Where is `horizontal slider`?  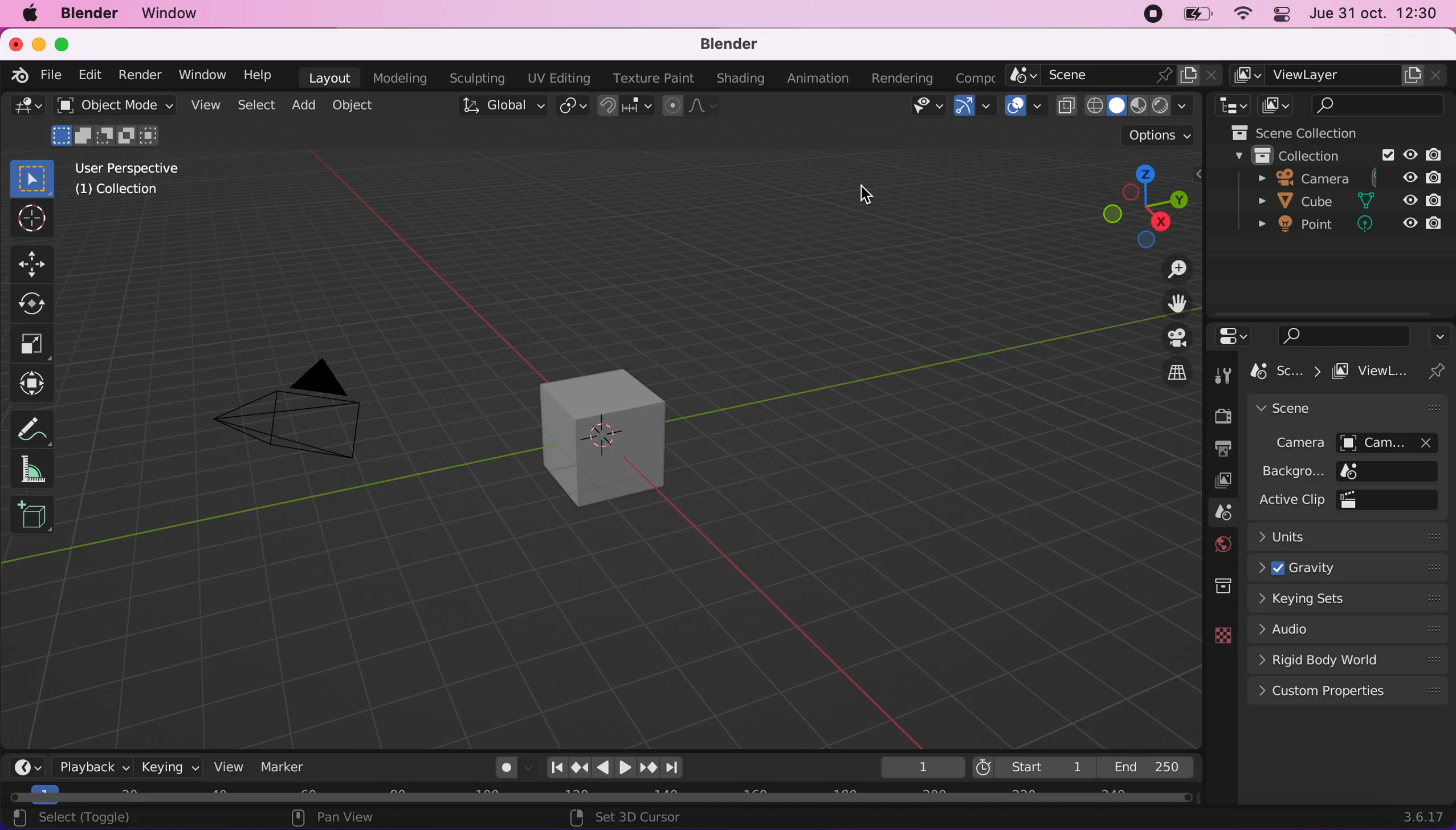 horizontal slider is located at coordinates (601, 796).